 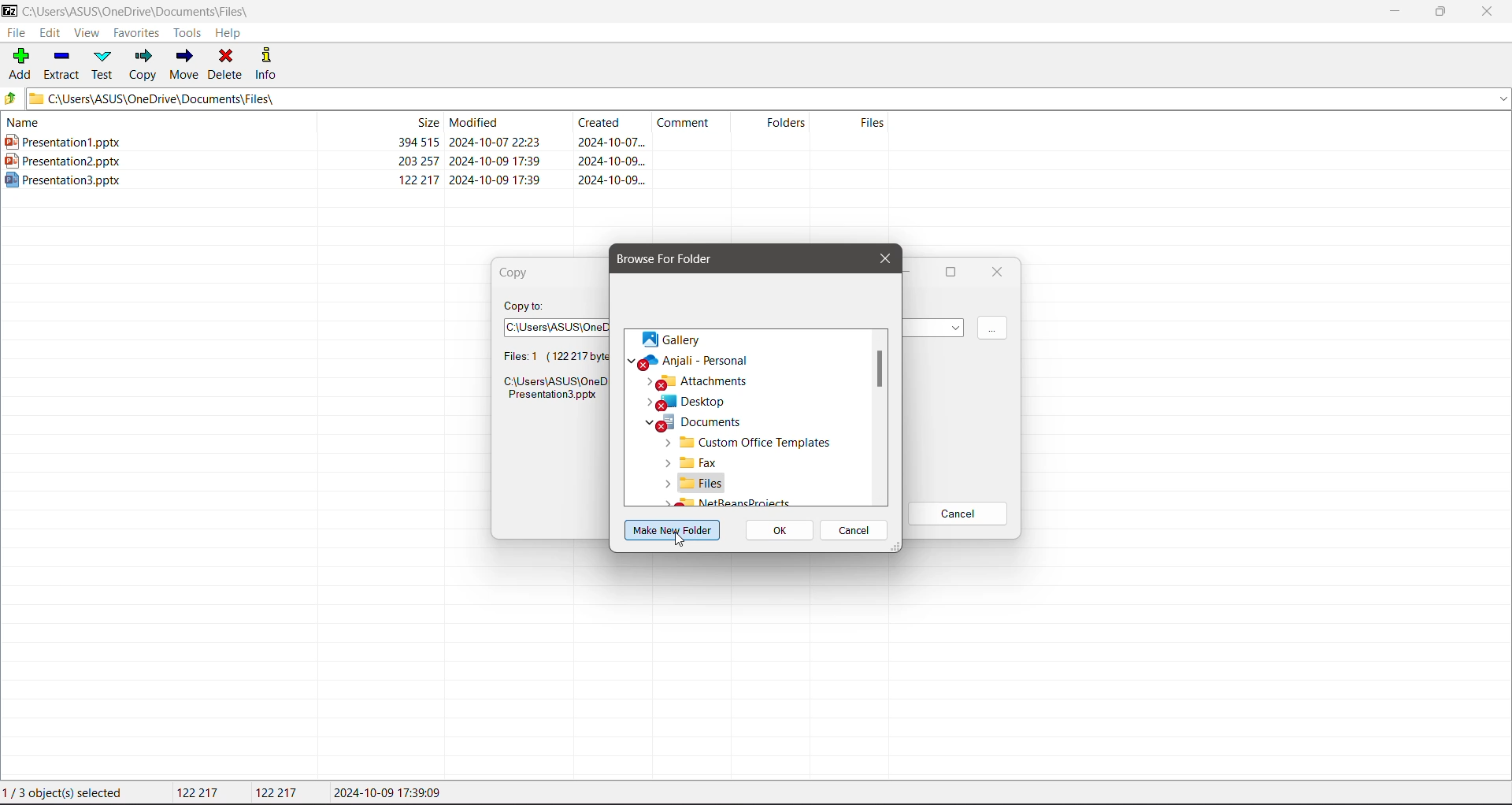 I want to click on Add, so click(x=21, y=63).